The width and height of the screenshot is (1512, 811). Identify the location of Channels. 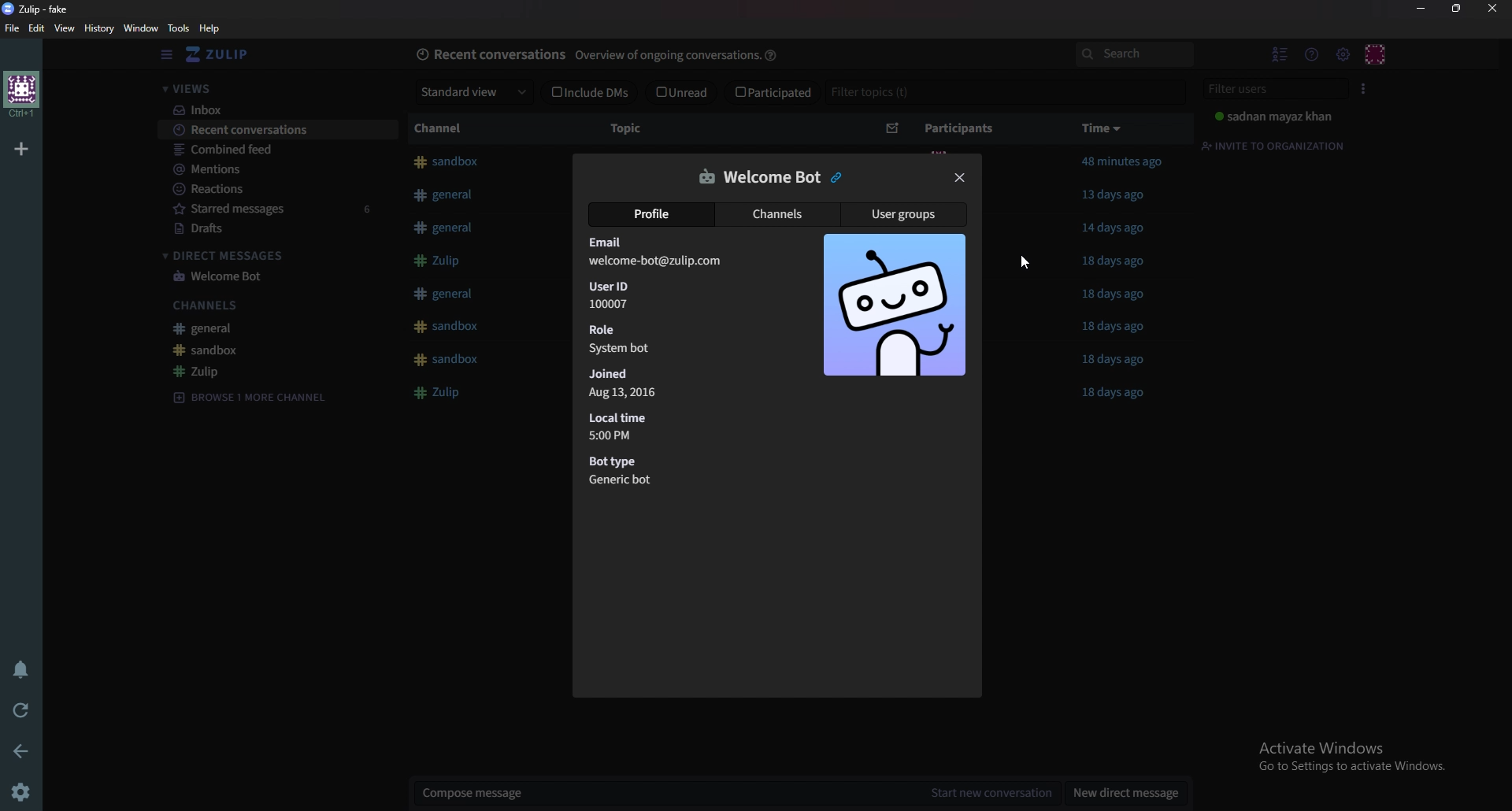
(780, 213).